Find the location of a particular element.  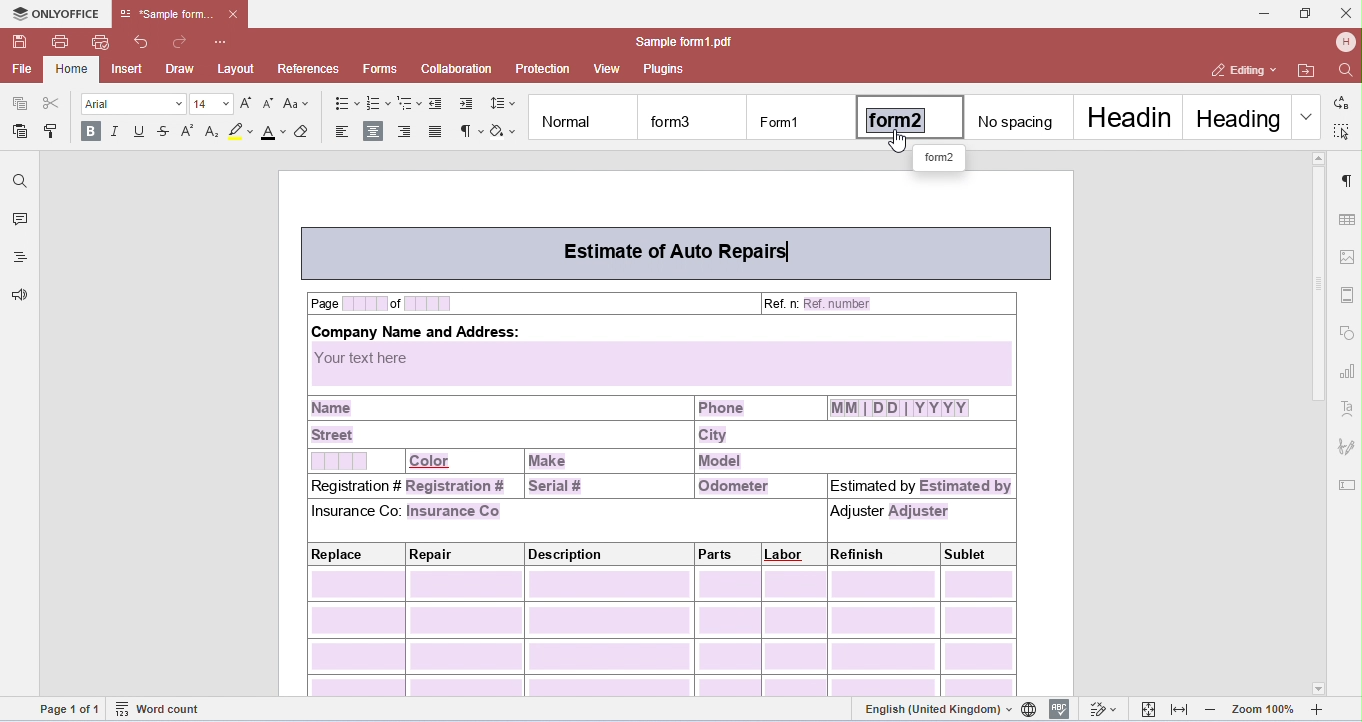

file is located at coordinates (20, 70).